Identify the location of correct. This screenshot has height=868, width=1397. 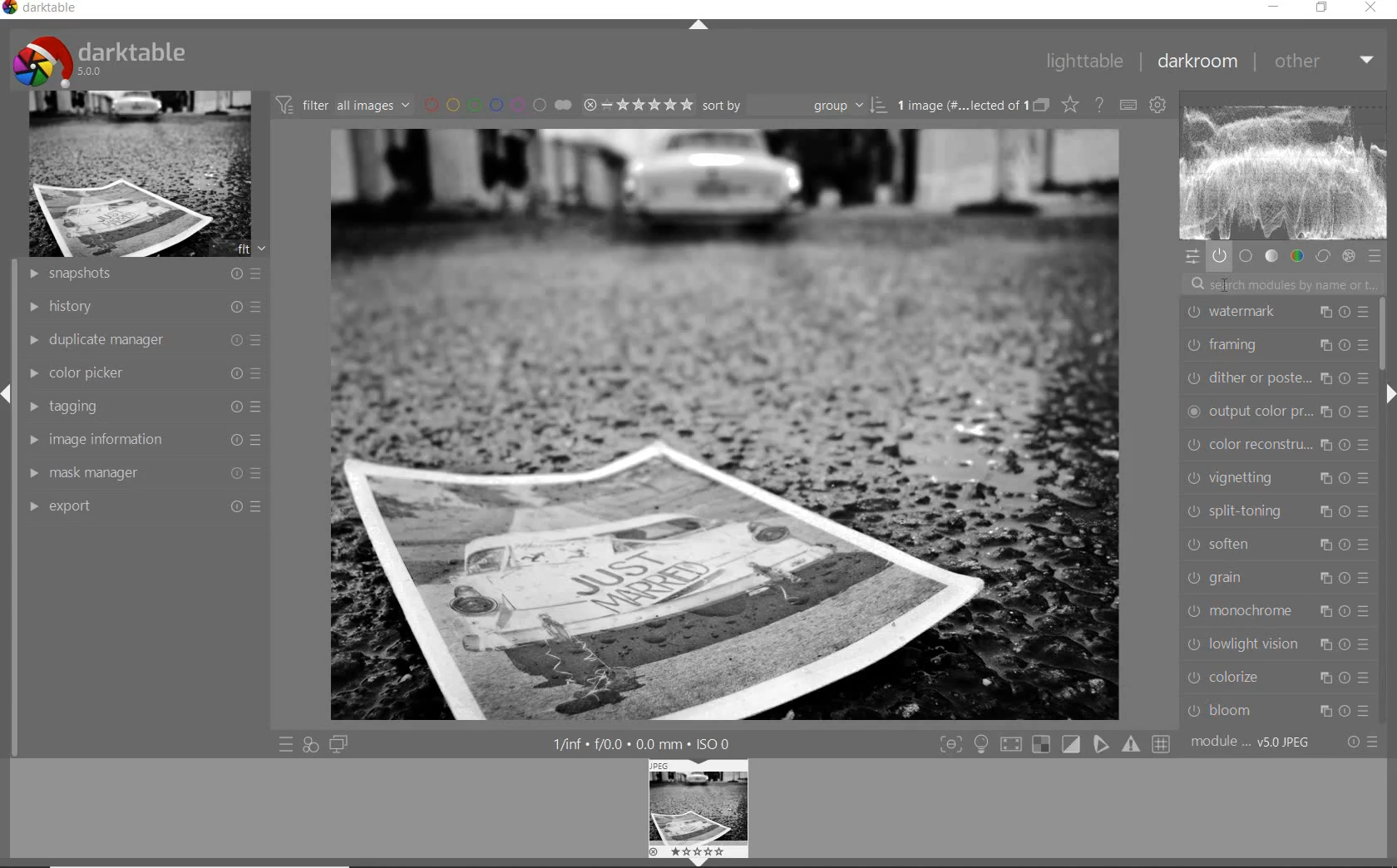
(1323, 256).